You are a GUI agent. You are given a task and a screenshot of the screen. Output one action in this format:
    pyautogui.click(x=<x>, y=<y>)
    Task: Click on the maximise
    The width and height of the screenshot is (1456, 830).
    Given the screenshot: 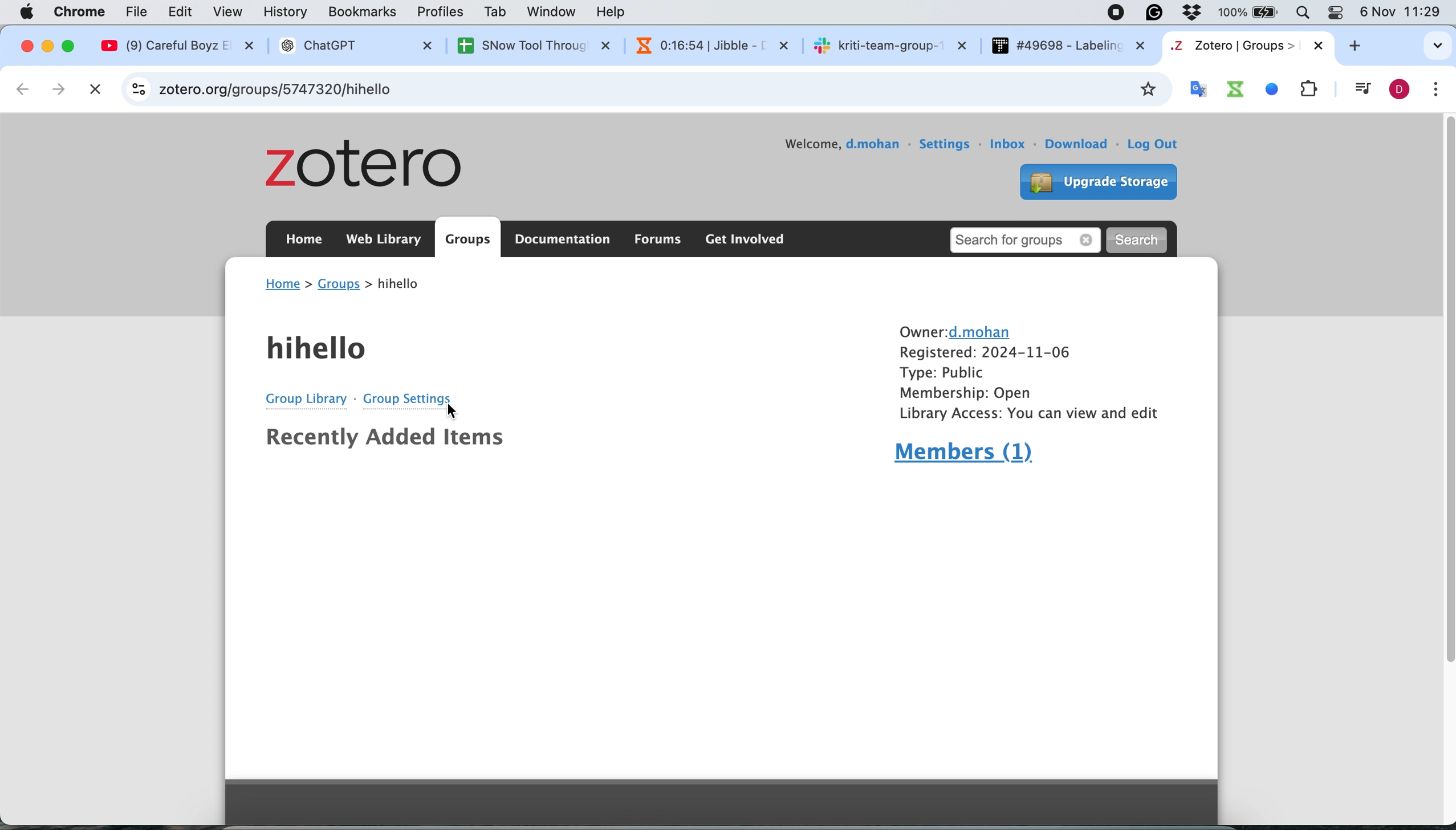 What is the action you would take?
    pyautogui.click(x=72, y=44)
    